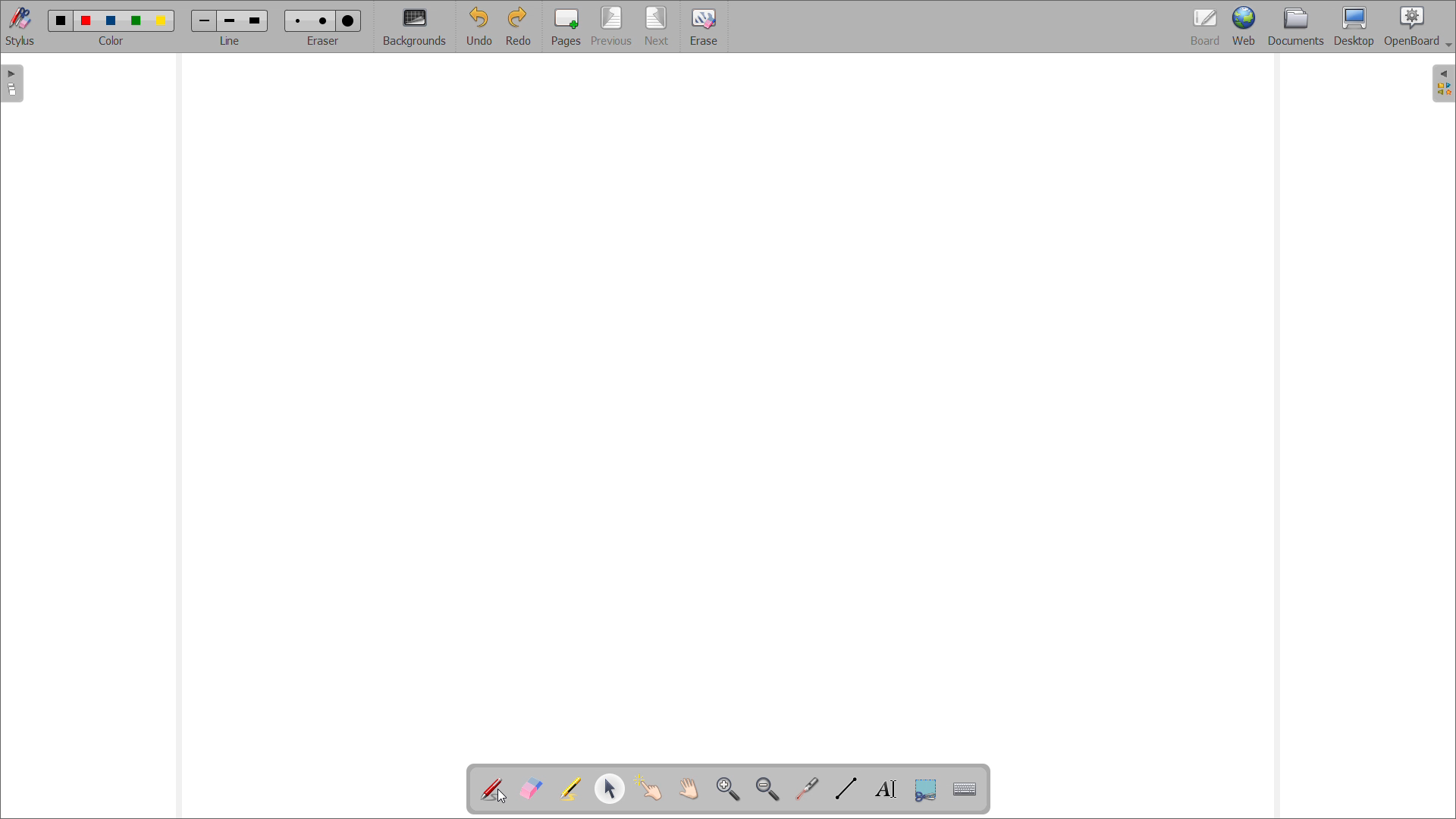 The height and width of the screenshot is (819, 1456). I want to click on select line width, so click(230, 42).